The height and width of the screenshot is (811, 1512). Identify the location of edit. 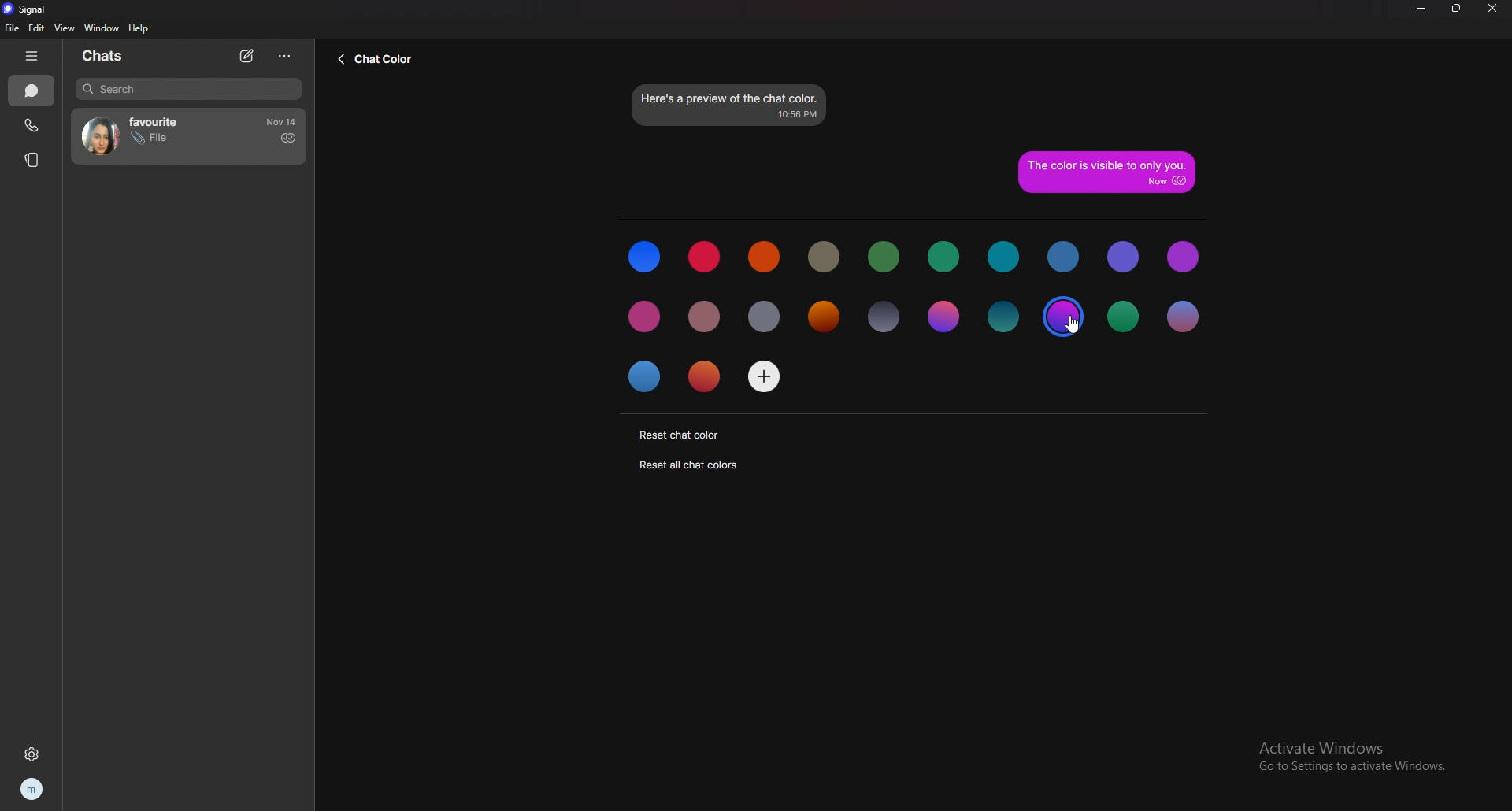
(37, 28).